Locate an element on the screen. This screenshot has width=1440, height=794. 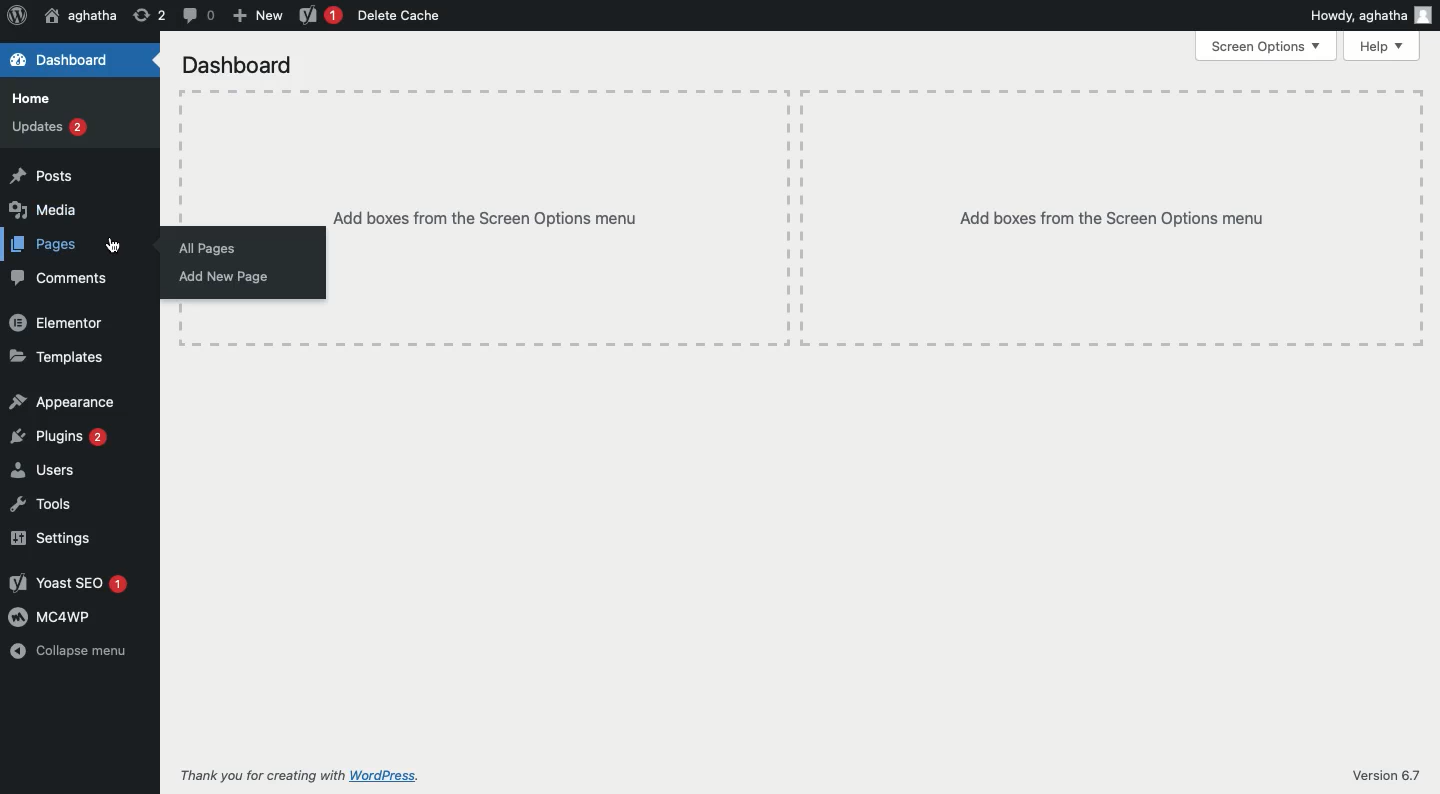
MC4WP is located at coordinates (64, 615).